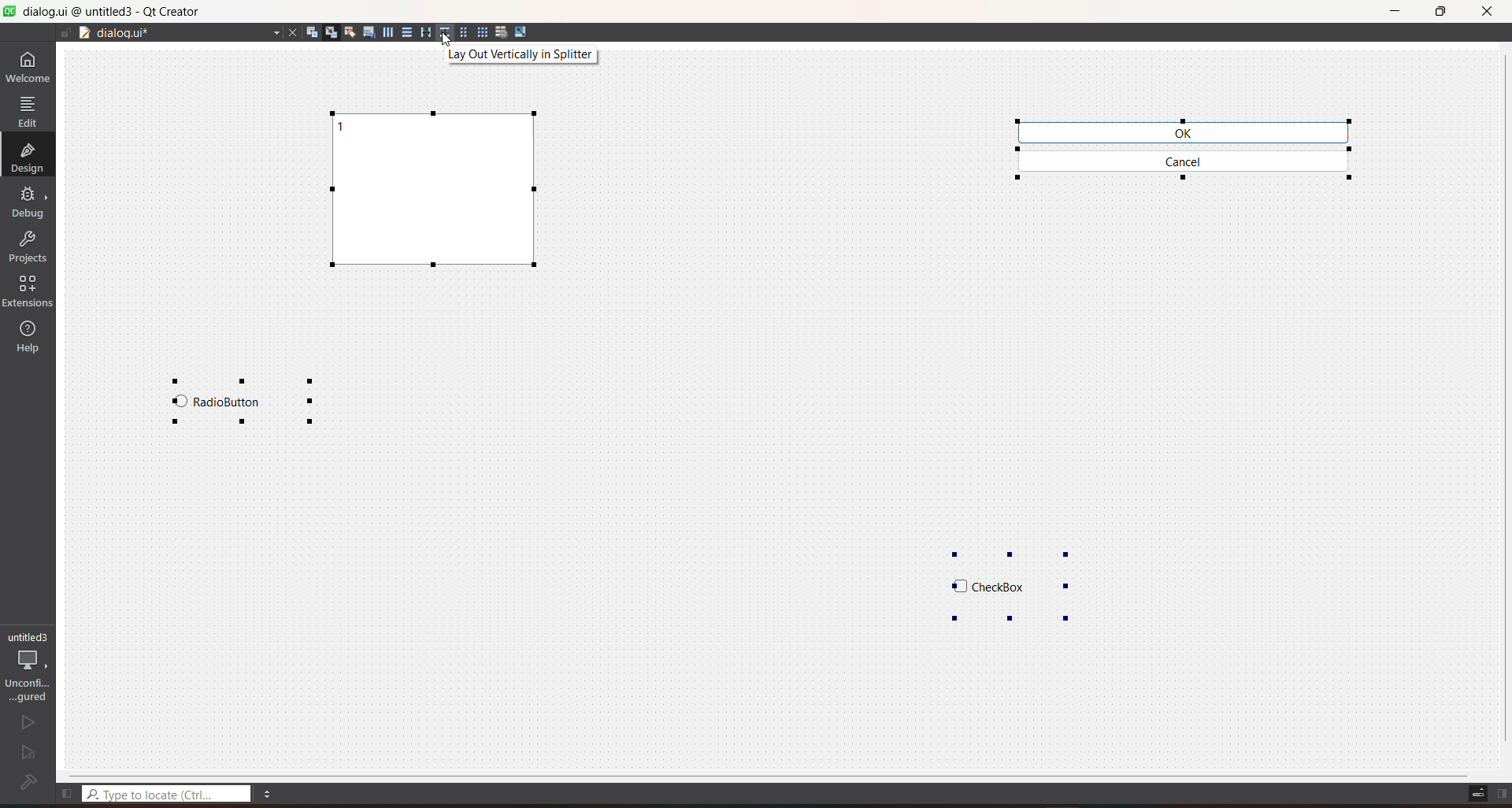 The width and height of the screenshot is (1512, 808). What do you see at coordinates (1485, 10) in the screenshot?
I see `close` at bounding box center [1485, 10].